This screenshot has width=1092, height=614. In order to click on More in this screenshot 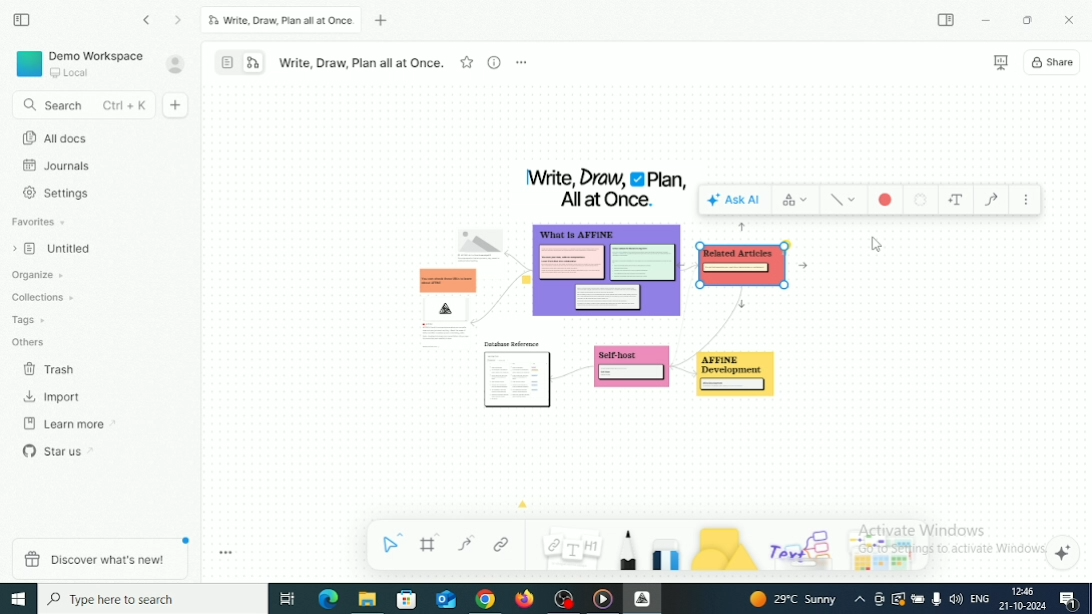, I will do `click(521, 62)`.